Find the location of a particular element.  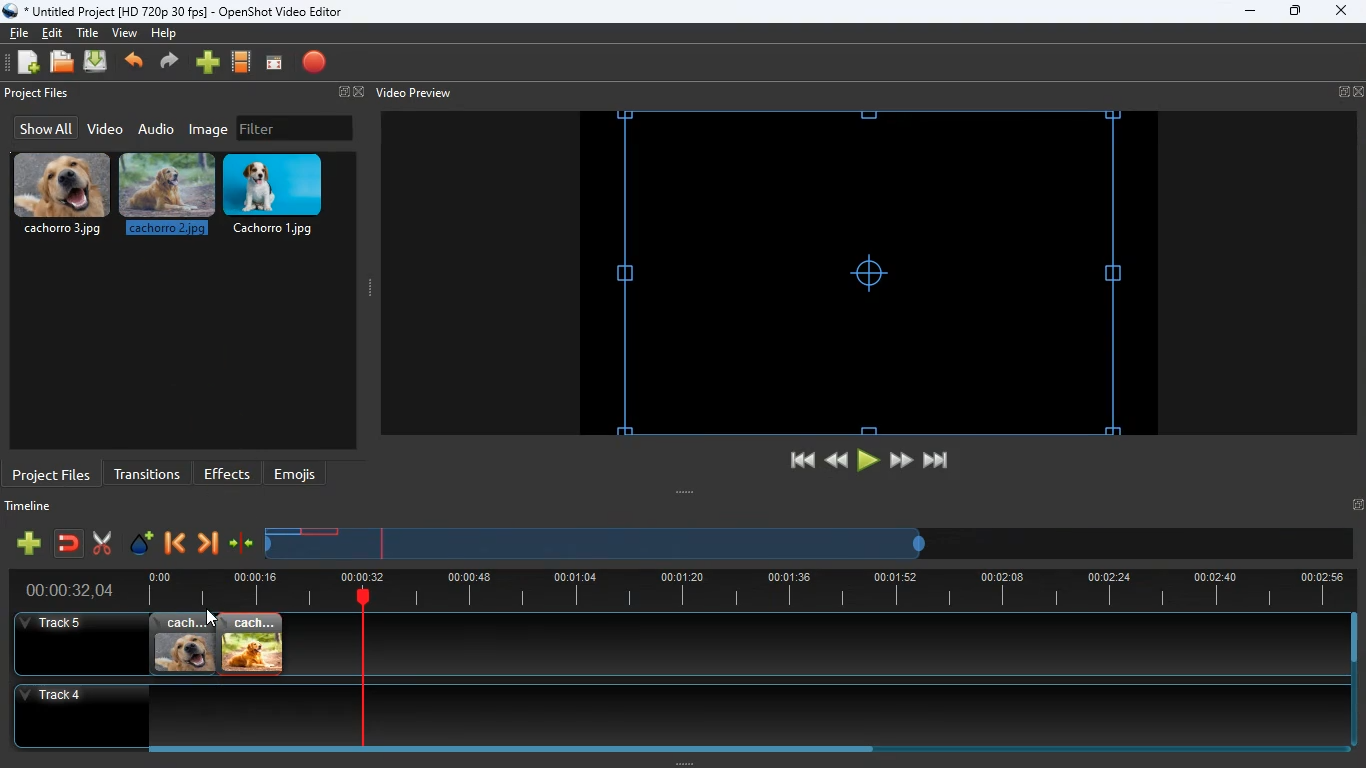

join is located at coordinates (70, 545).